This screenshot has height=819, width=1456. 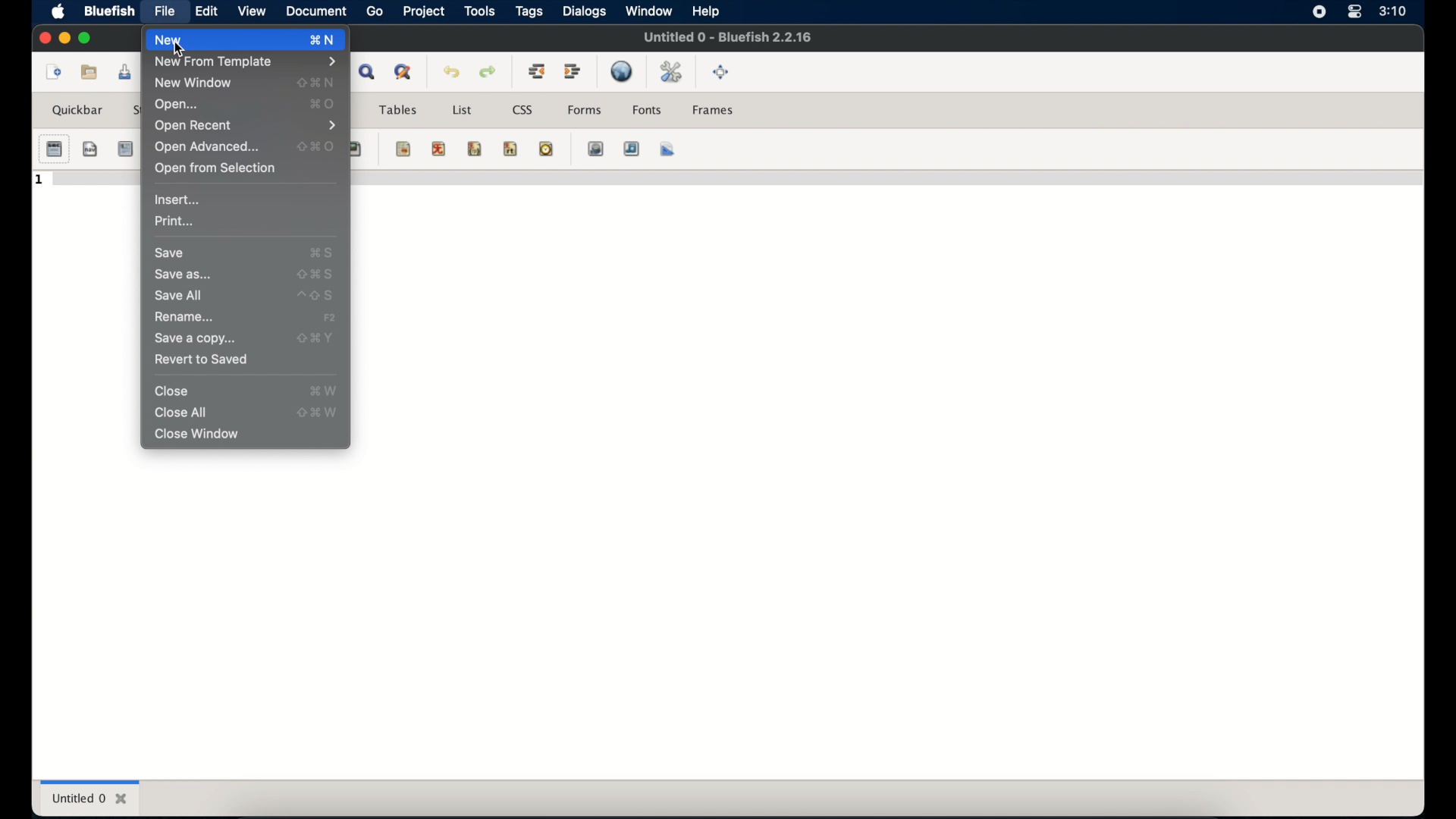 I want to click on video, so click(x=597, y=149).